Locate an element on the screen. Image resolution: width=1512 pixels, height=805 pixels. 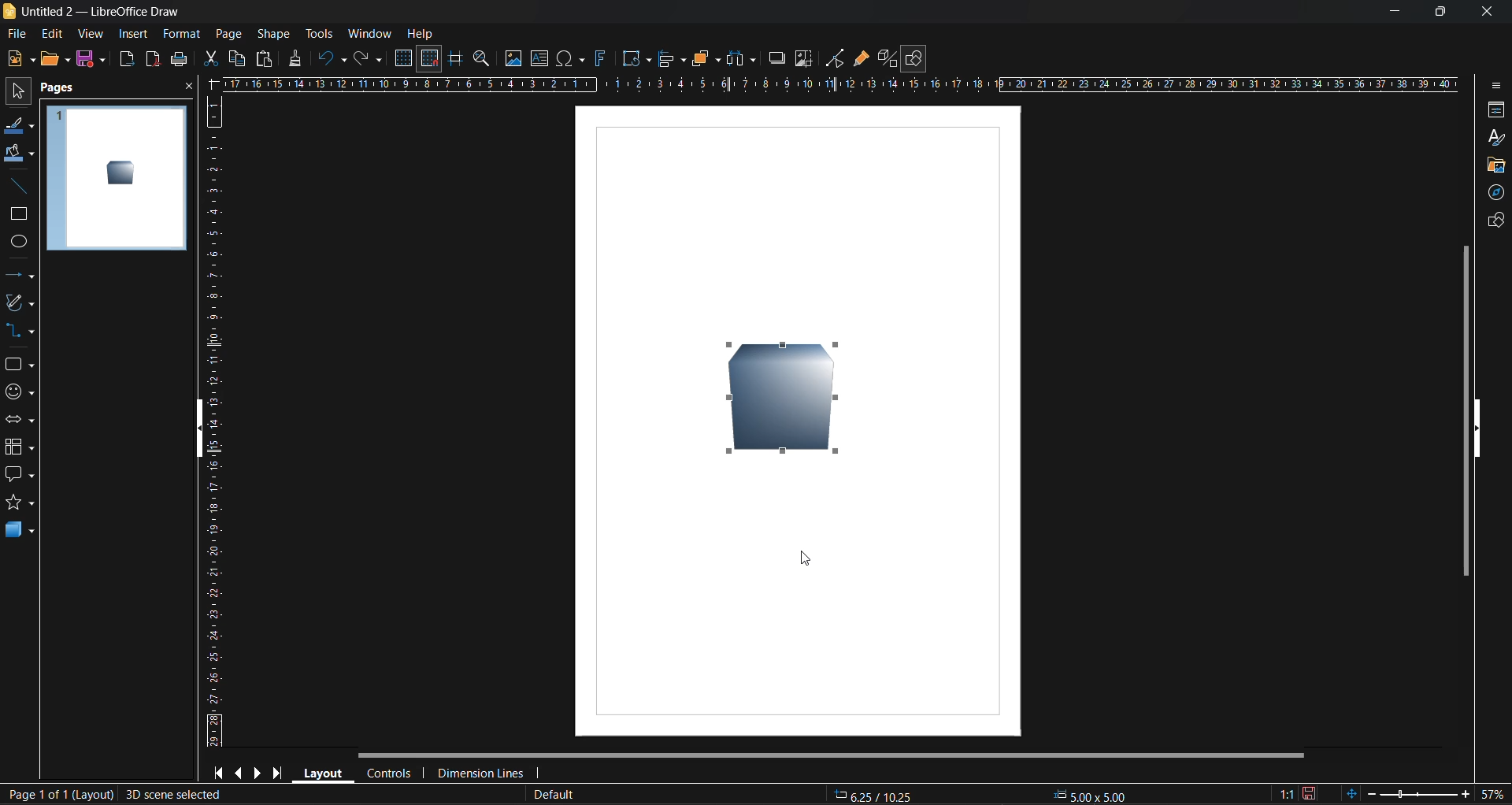
insert line is located at coordinates (18, 186).